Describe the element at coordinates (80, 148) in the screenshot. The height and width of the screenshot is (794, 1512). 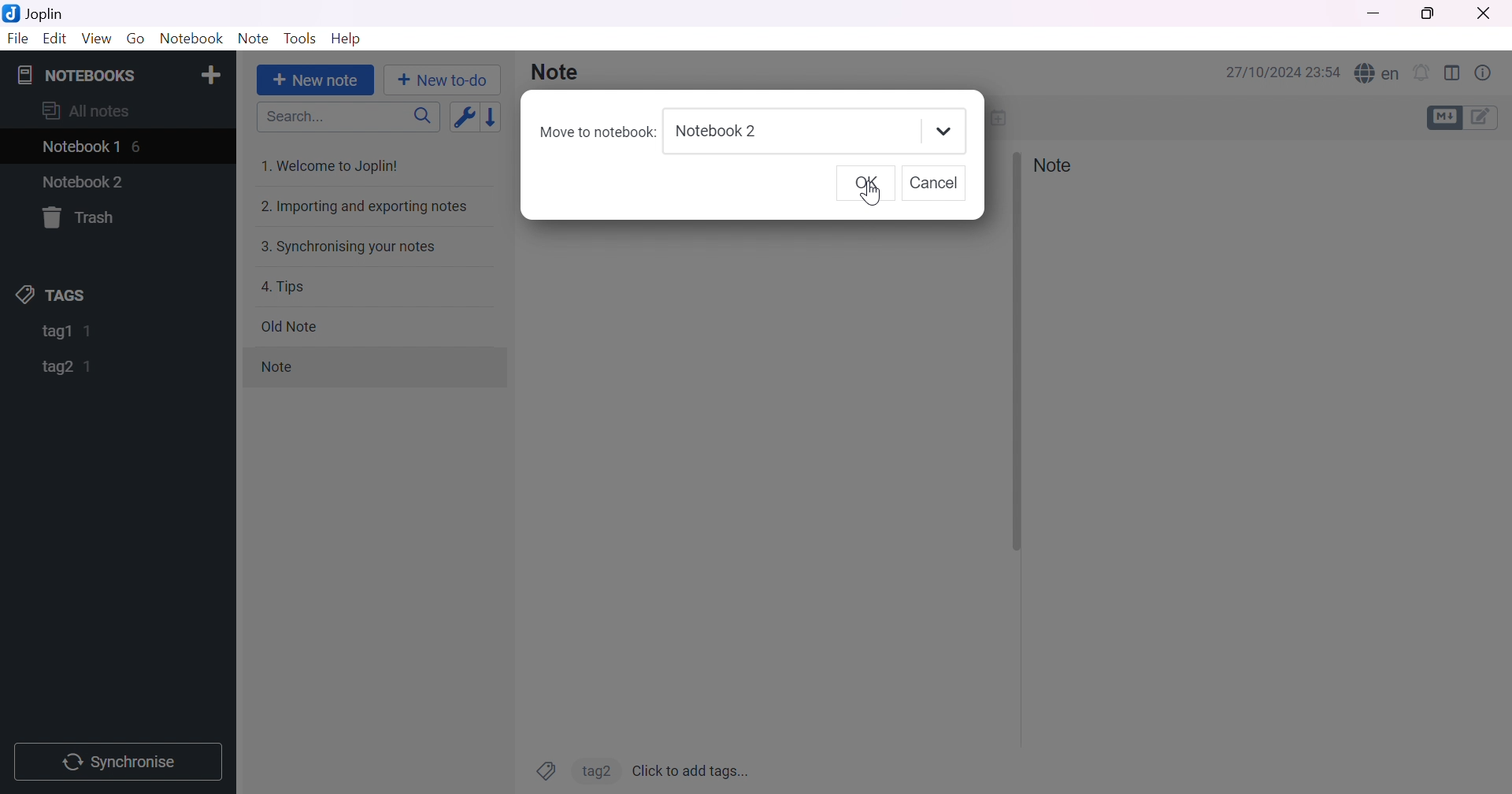
I see `Notebook1` at that location.